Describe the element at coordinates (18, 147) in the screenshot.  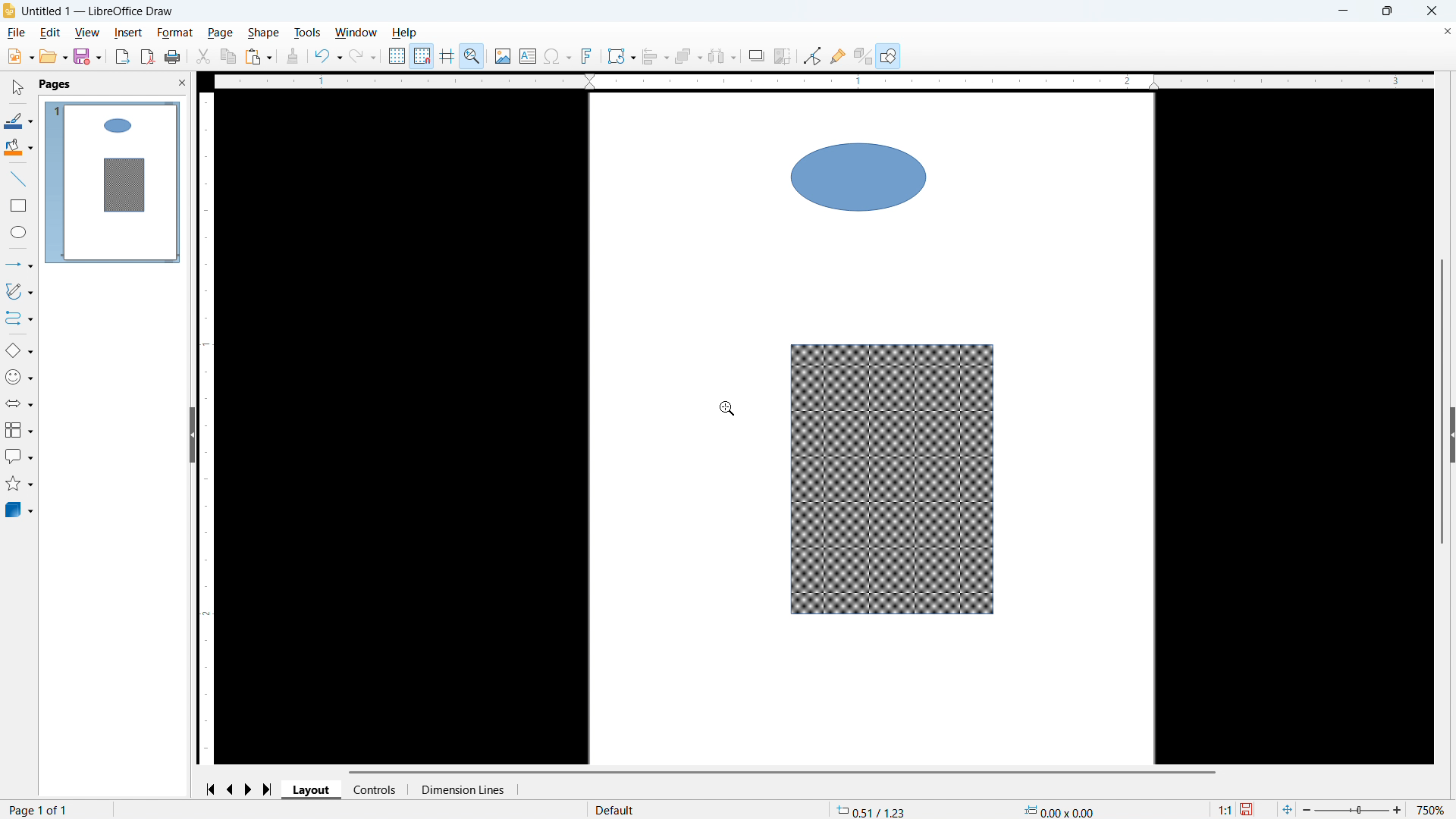
I see `Background colour ` at that location.